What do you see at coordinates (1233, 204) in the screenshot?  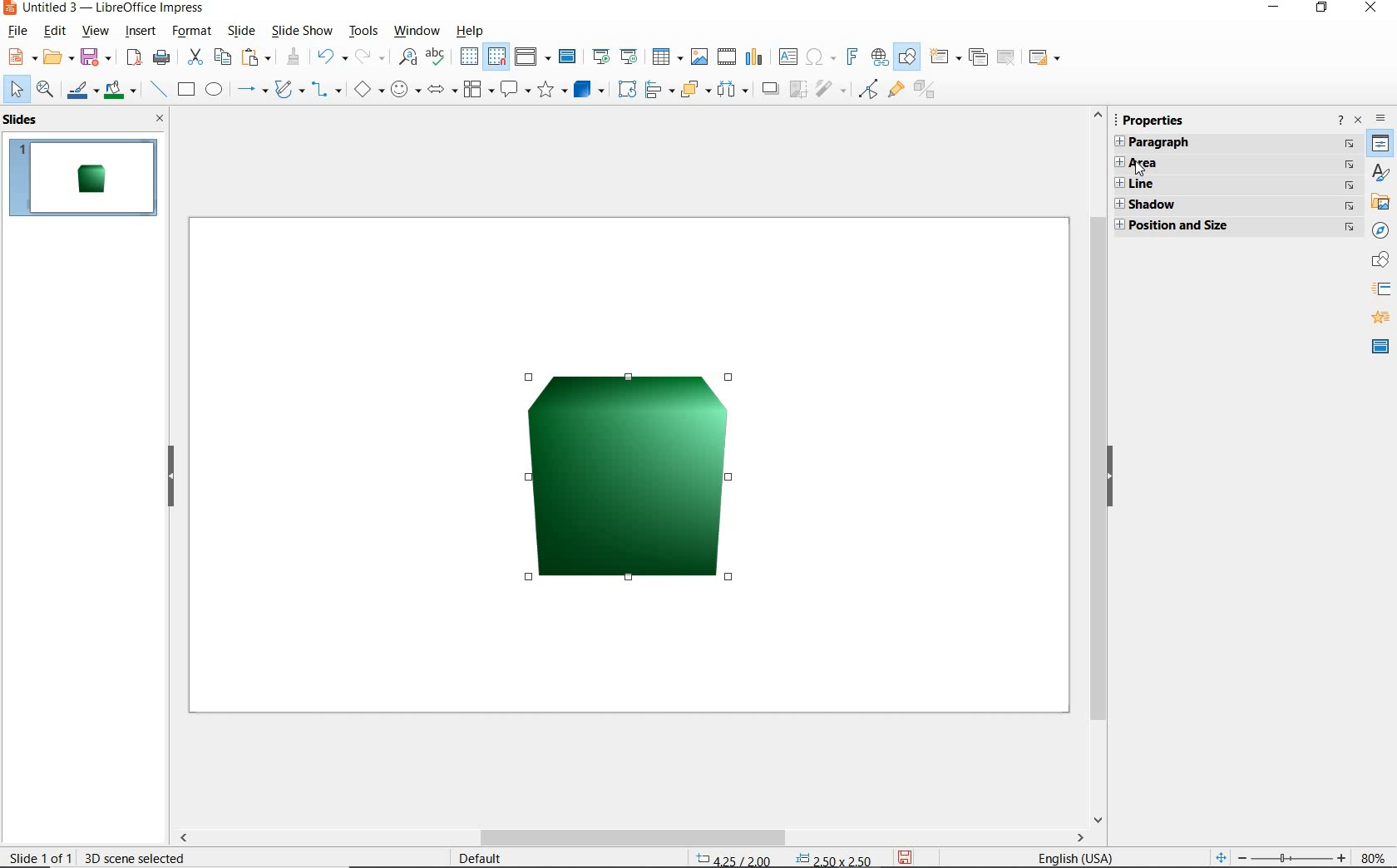 I see `SHADOW` at bounding box center [1233, 204].